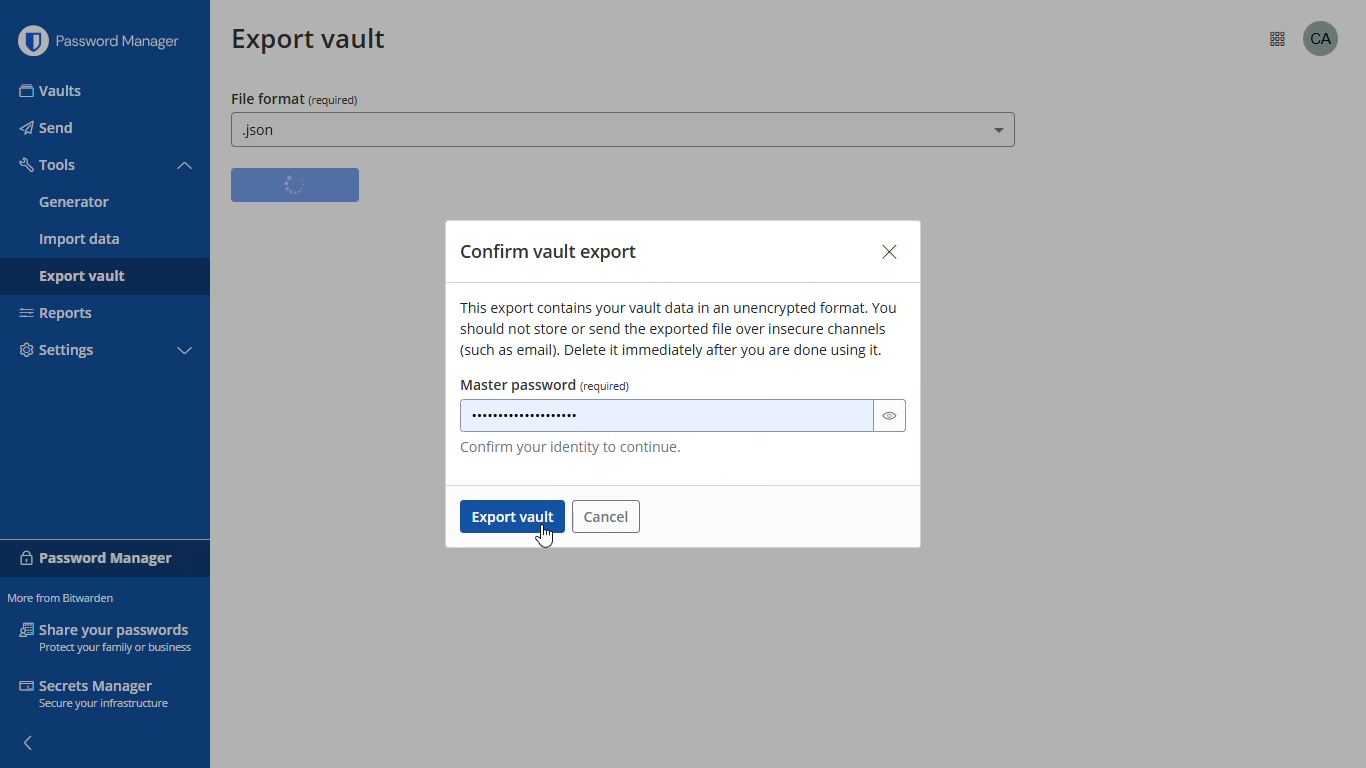 The image size is (1366, 768). I want to click on export vault, so click(512, 518).